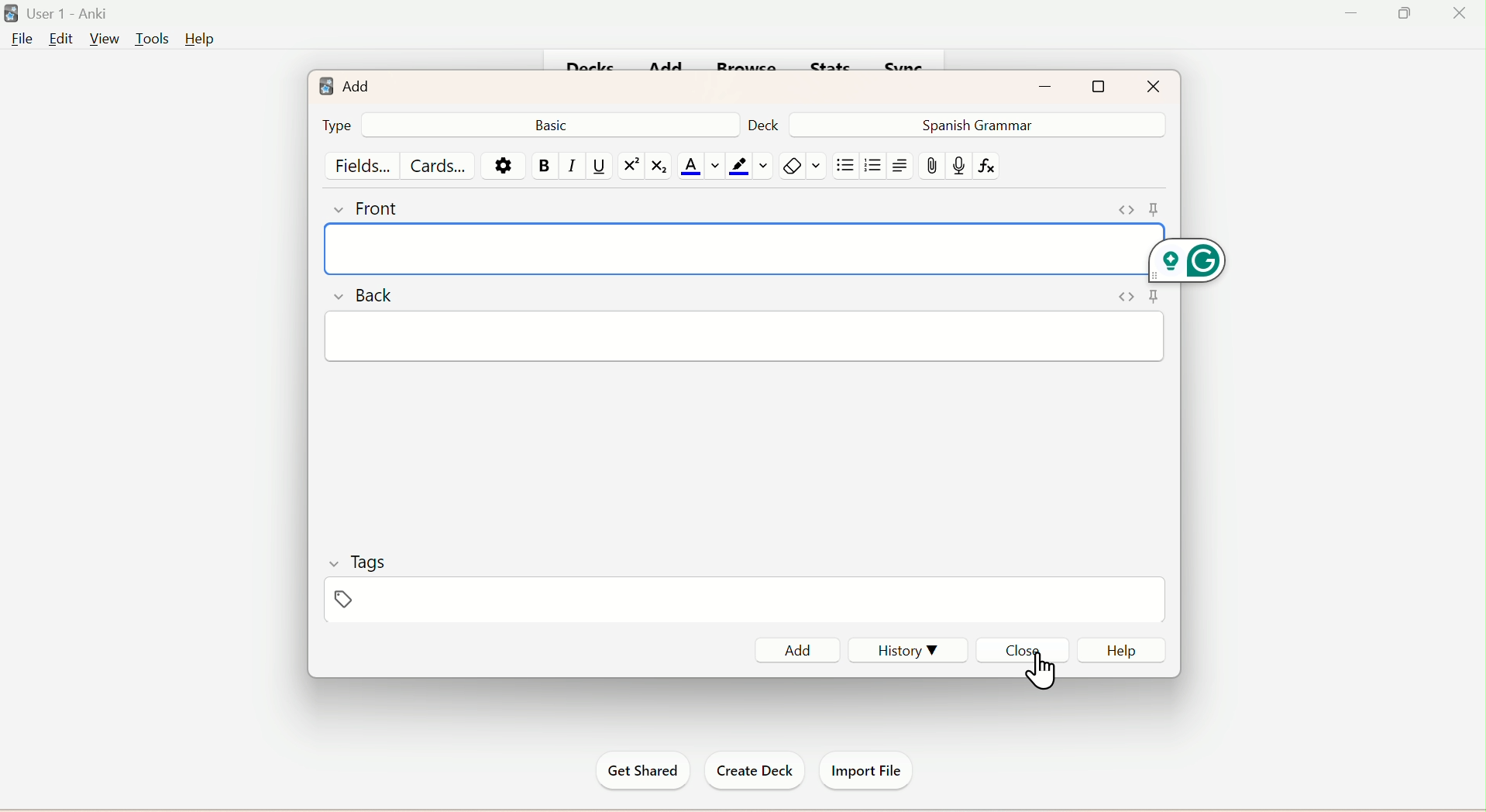 The width and height of the screenshot is (1486, 812). I want to click on Pin, so click(1133, 207).